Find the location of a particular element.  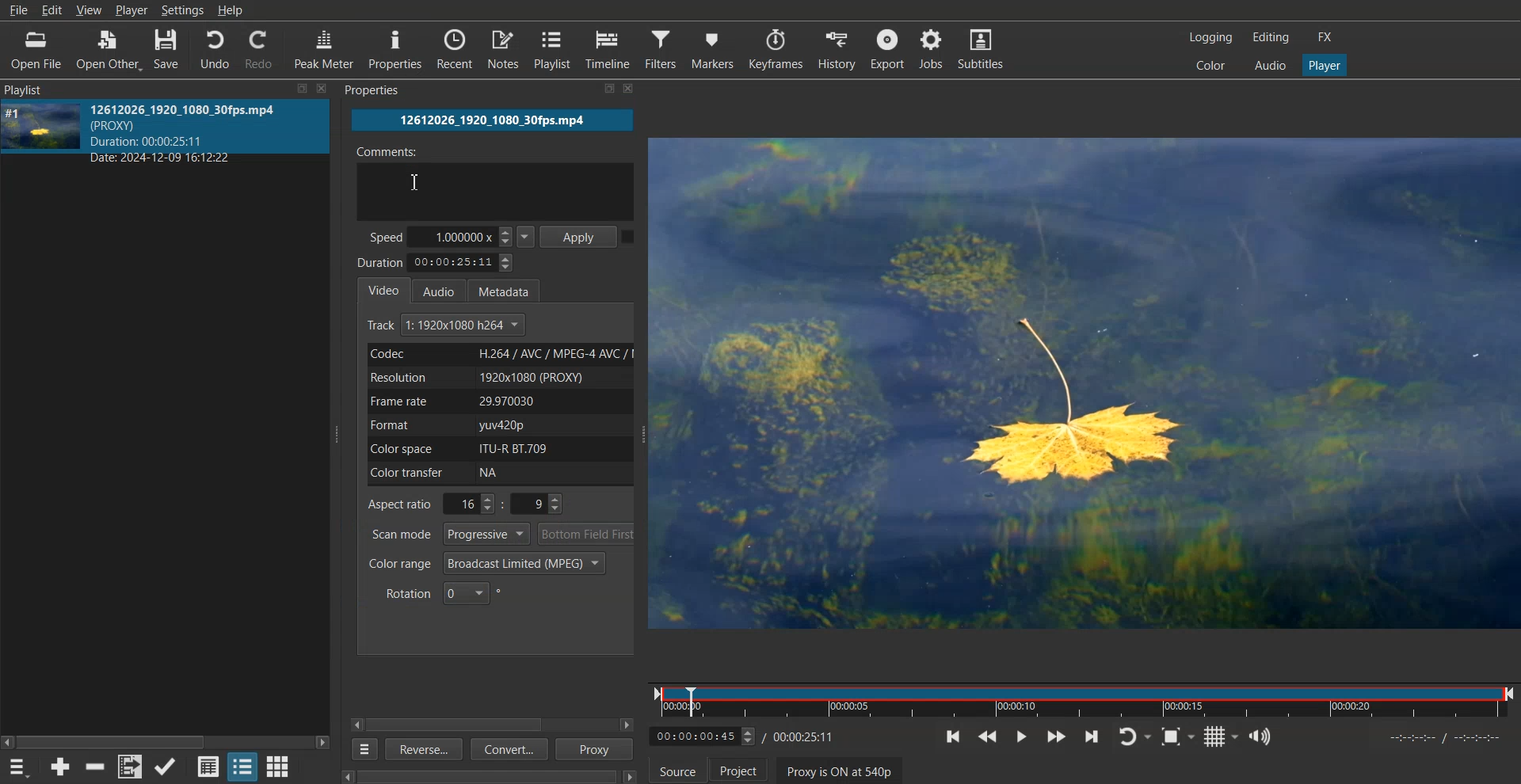

Codec is located at coordinates (497, 354).